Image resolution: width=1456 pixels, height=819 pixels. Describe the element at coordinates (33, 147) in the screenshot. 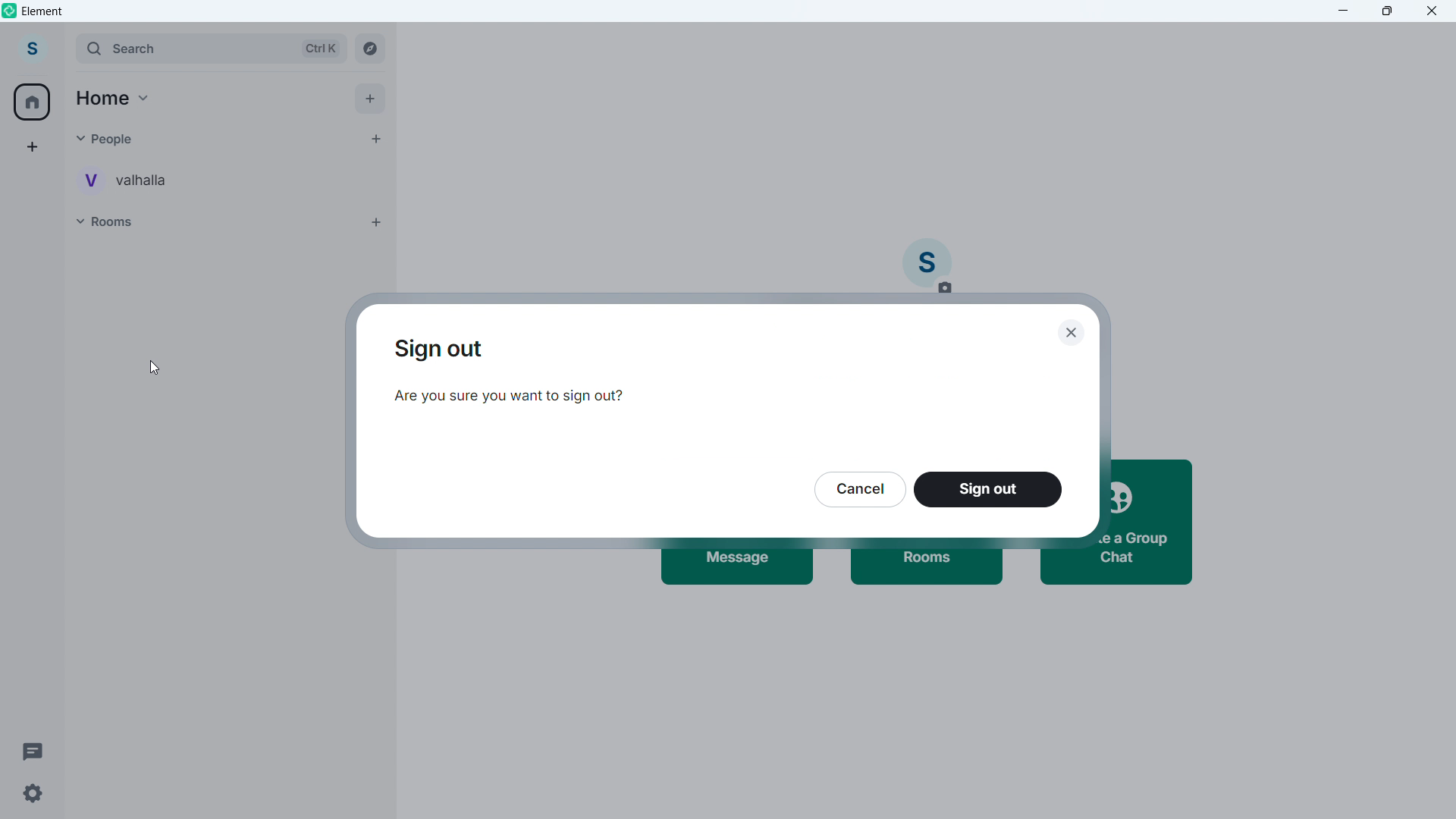

I see `Create a space ` at that location.